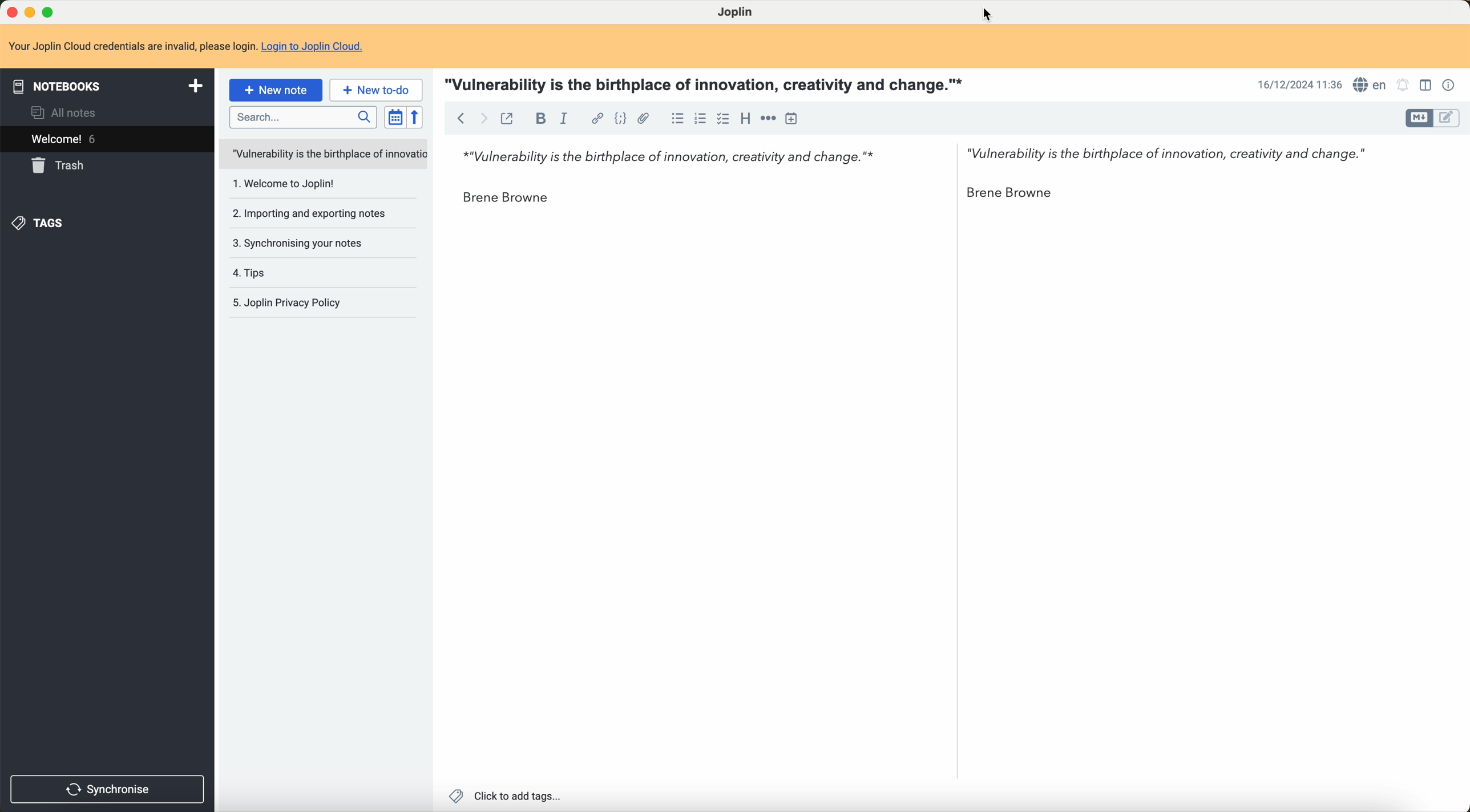 Image resolution: width=1470 pixels, height=812 pixels. Describe the element at coordinates (744, 119) in the screenshot. I see `heading` at that location.